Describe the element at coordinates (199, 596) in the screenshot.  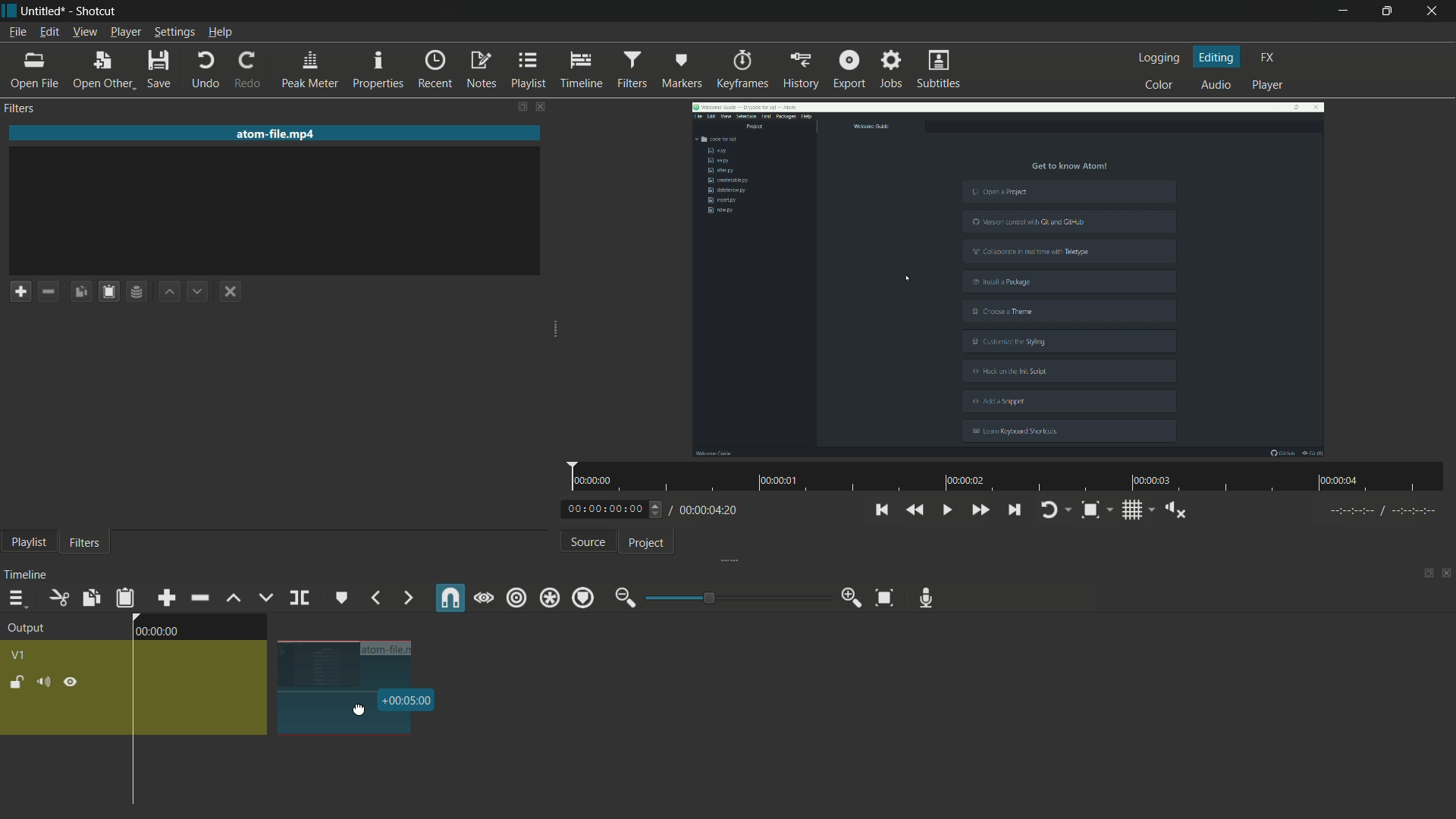
I see `ripple delete` at that location.